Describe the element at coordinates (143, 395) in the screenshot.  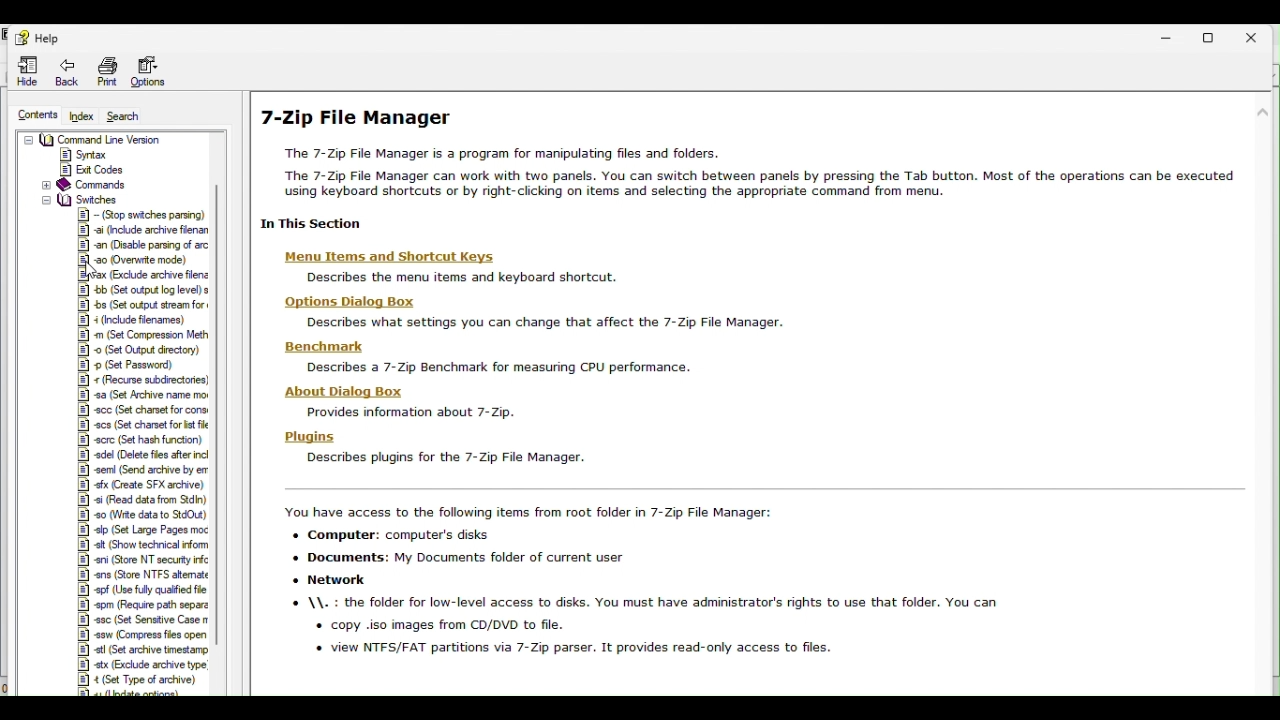
I see `|#] sa (Set Archive name mor` at that location.